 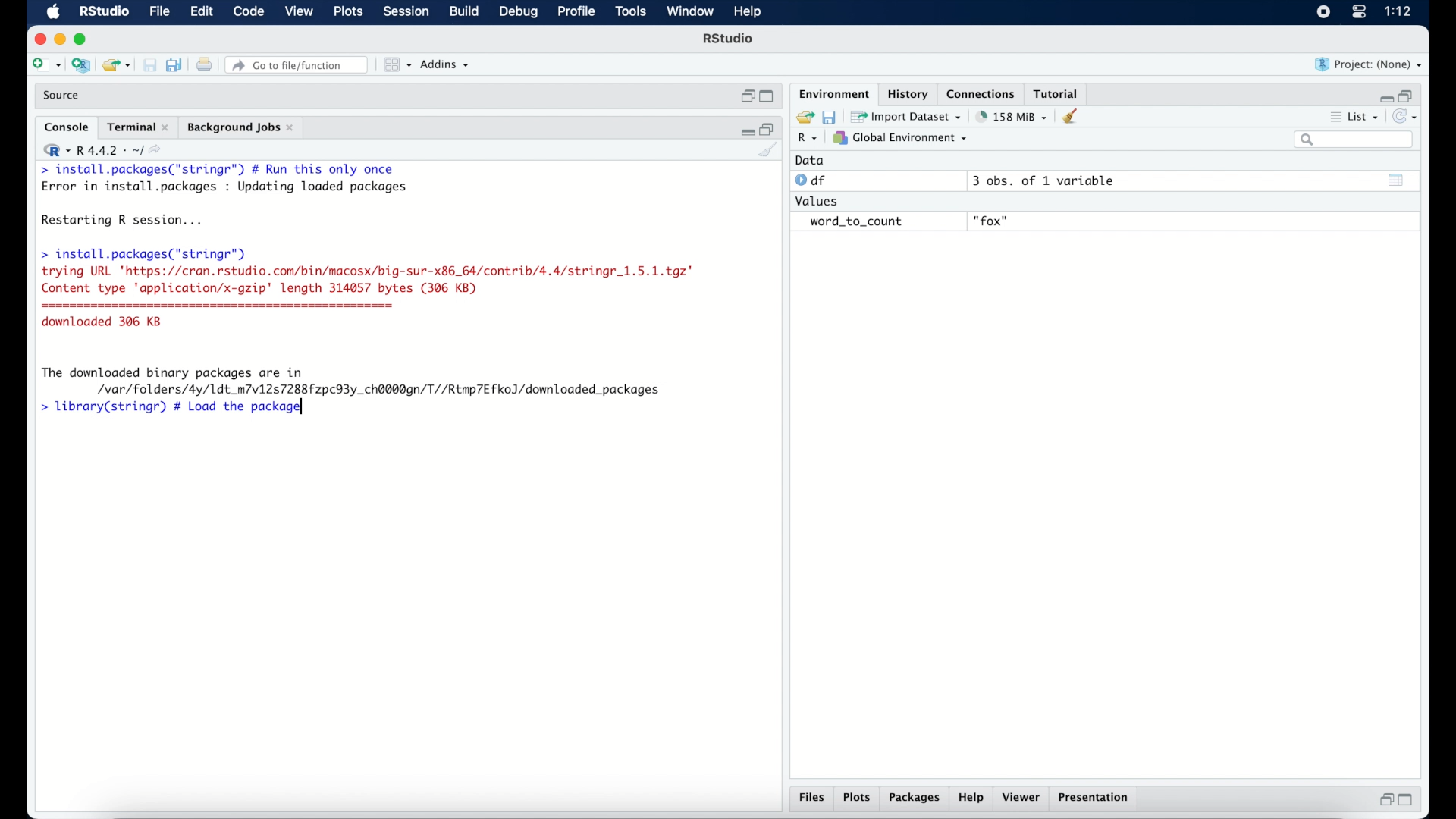 I want to click on help, so click(x=750, y=13).